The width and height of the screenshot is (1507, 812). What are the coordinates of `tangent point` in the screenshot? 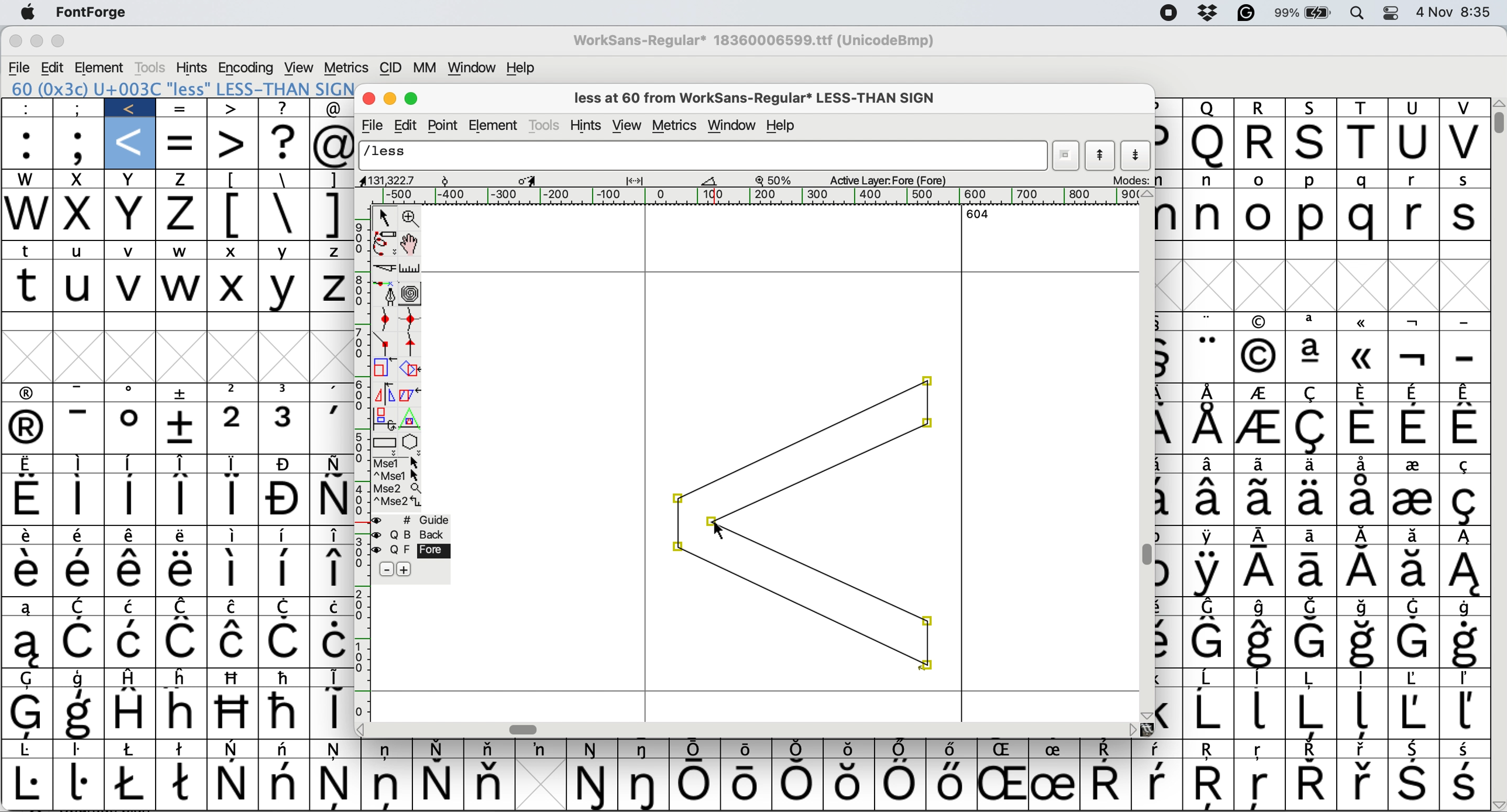 It's located at (417, 344).